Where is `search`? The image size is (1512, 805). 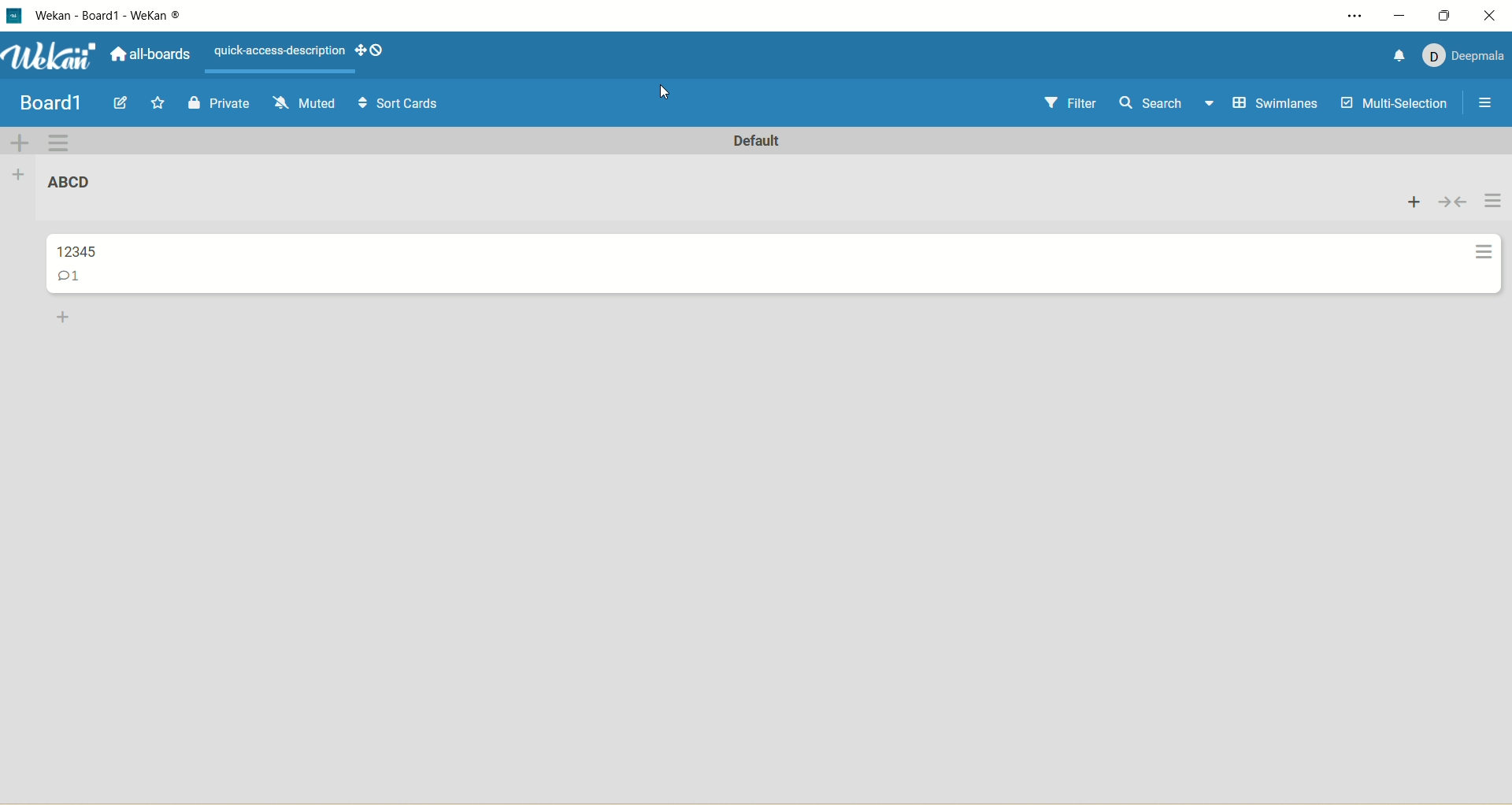
search is located at coordinates (1166, 105).